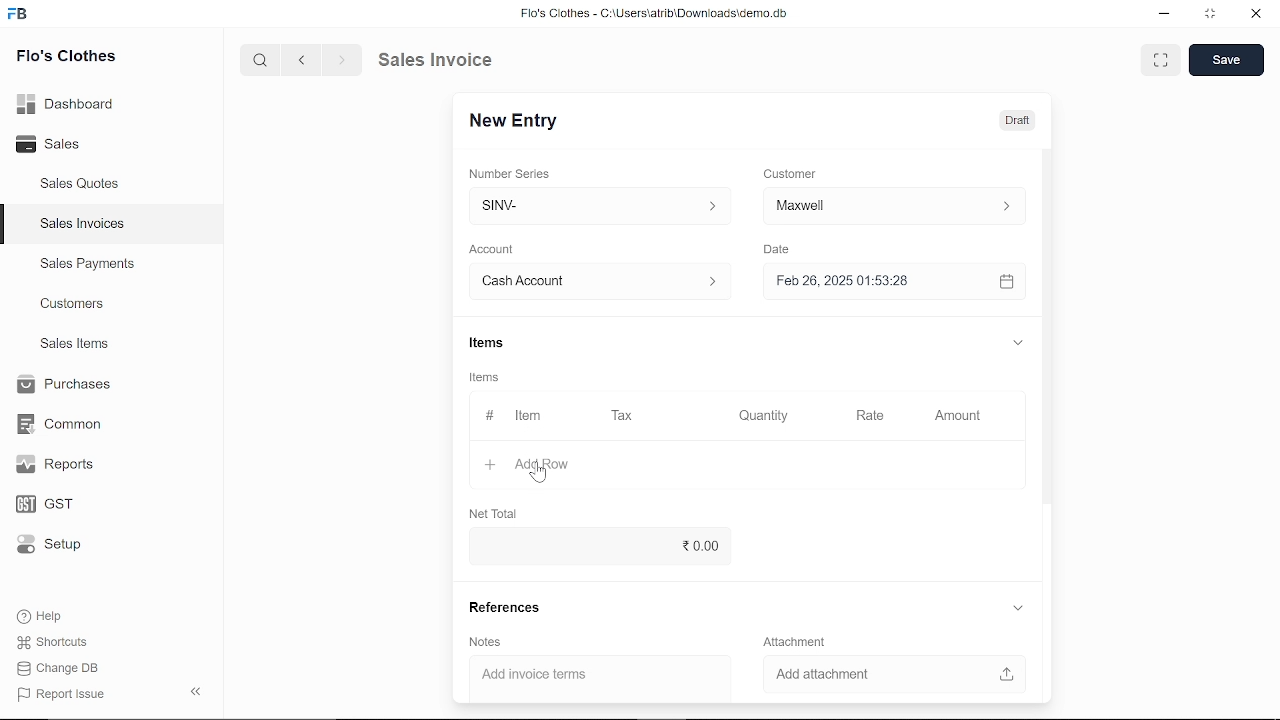 Image resolution: width=1280 pixels, height=720 pixels. What do you see at coordinates (302, 59) in the screenshot?
I see `previous` at bounding box center [302, 59].